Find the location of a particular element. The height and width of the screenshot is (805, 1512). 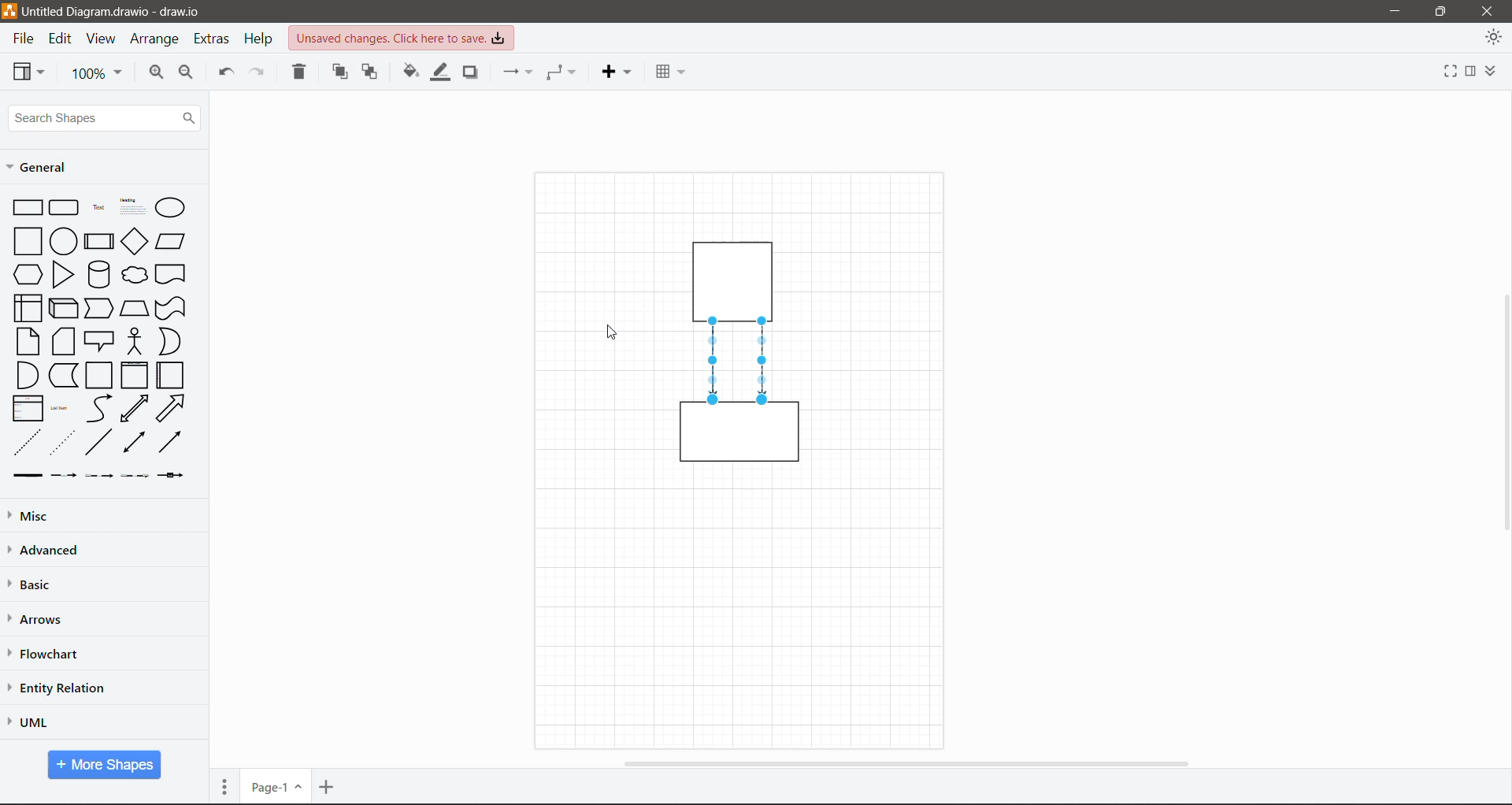

Container is located at coordinates (134, 375).